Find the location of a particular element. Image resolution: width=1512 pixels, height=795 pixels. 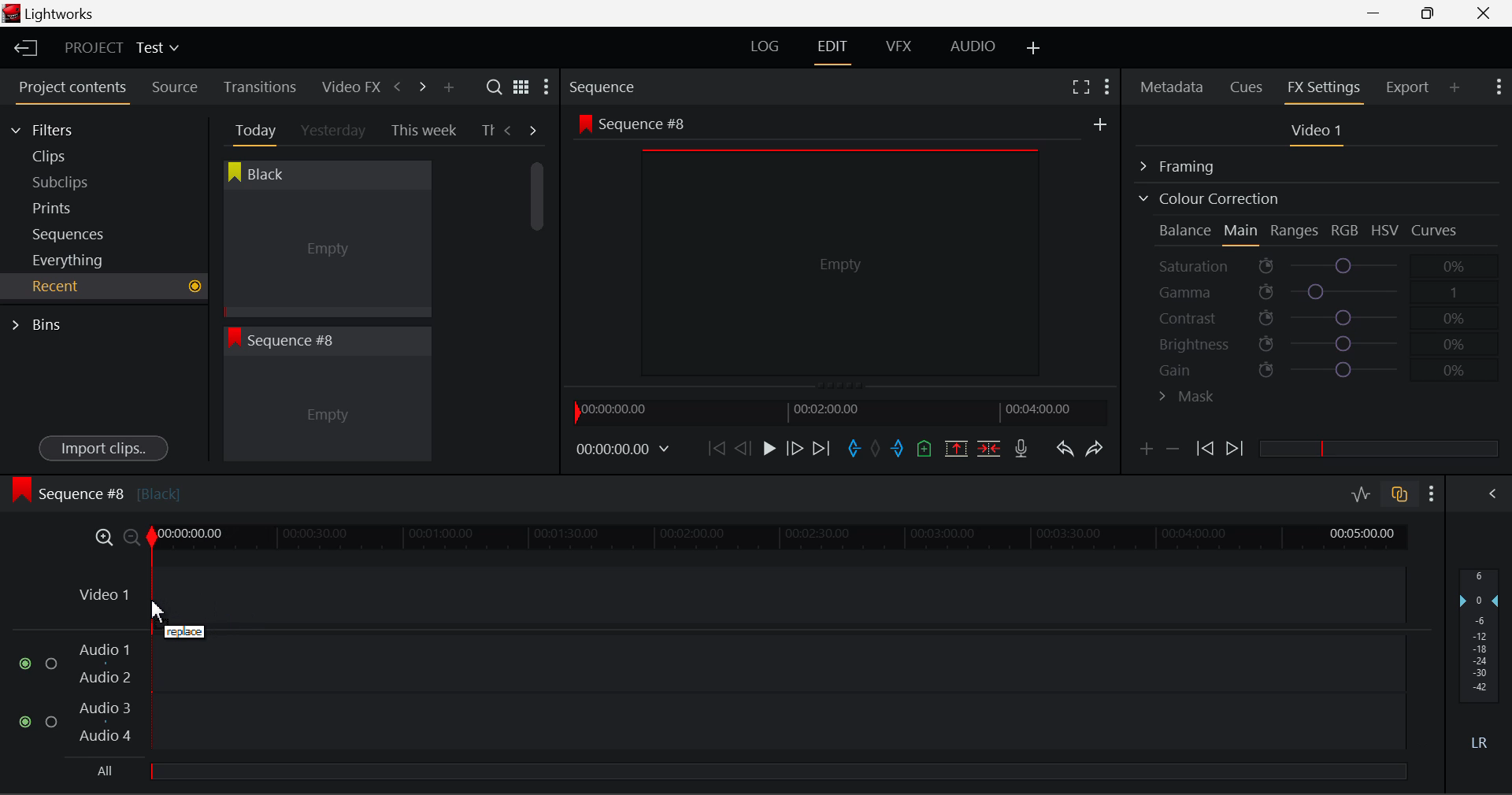

Recent Clip is located at coordinates (327, 416).